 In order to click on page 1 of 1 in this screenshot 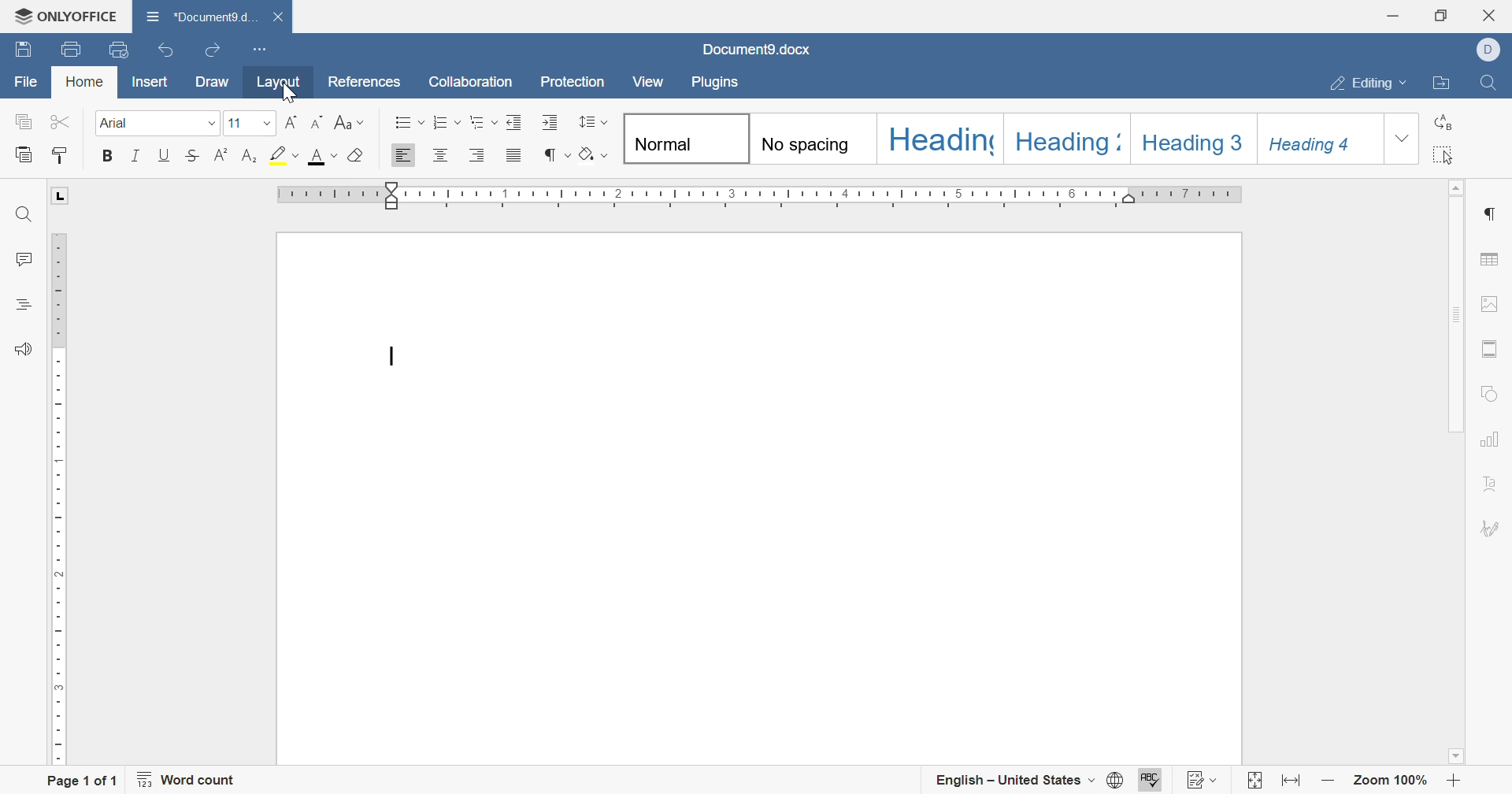, I will do `click(81, 782)`.